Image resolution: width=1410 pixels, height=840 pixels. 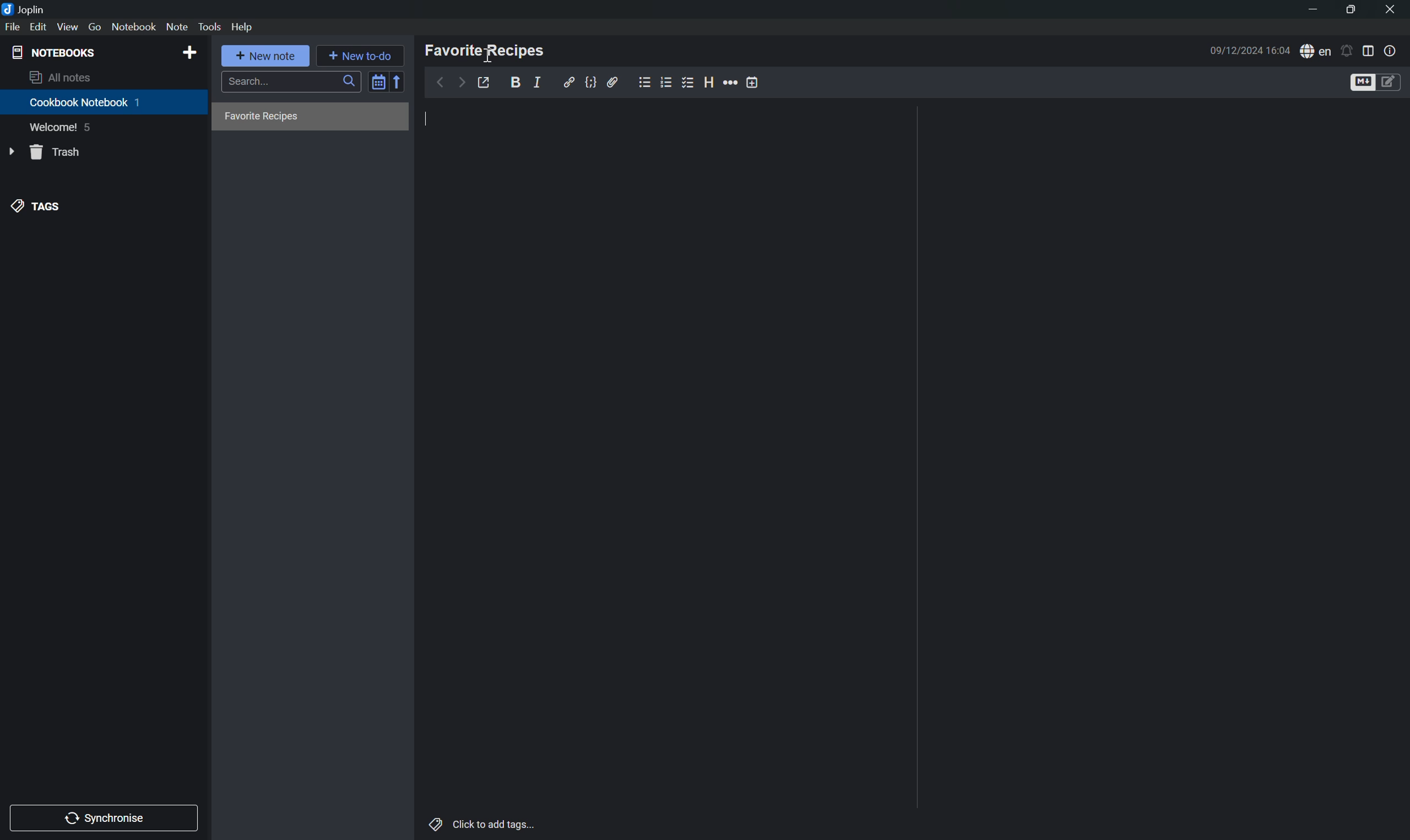 What do you see at coordinates (569, 81) in the screenshot?
I see `Insert/edit link` at bounding box center [569, 81].